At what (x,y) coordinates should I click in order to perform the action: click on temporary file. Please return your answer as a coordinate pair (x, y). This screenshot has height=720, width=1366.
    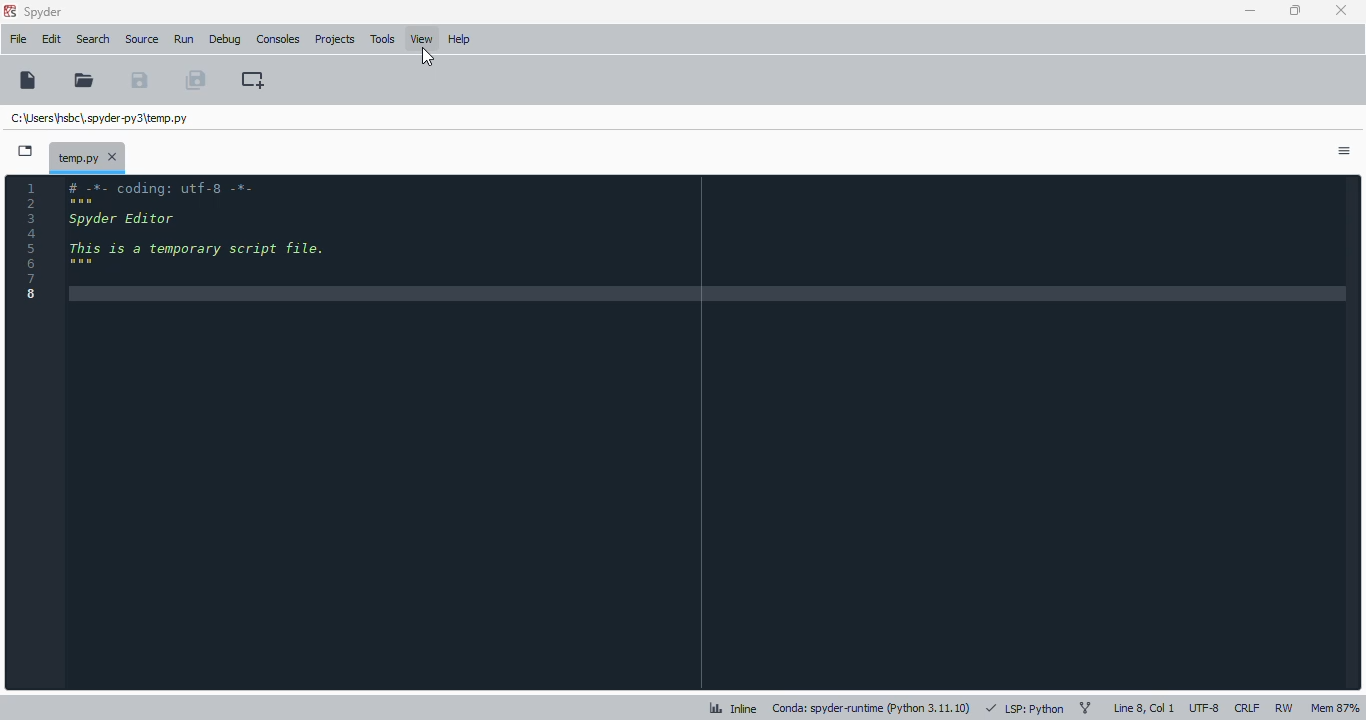
    Looking at the image, I should click on (98, 118).